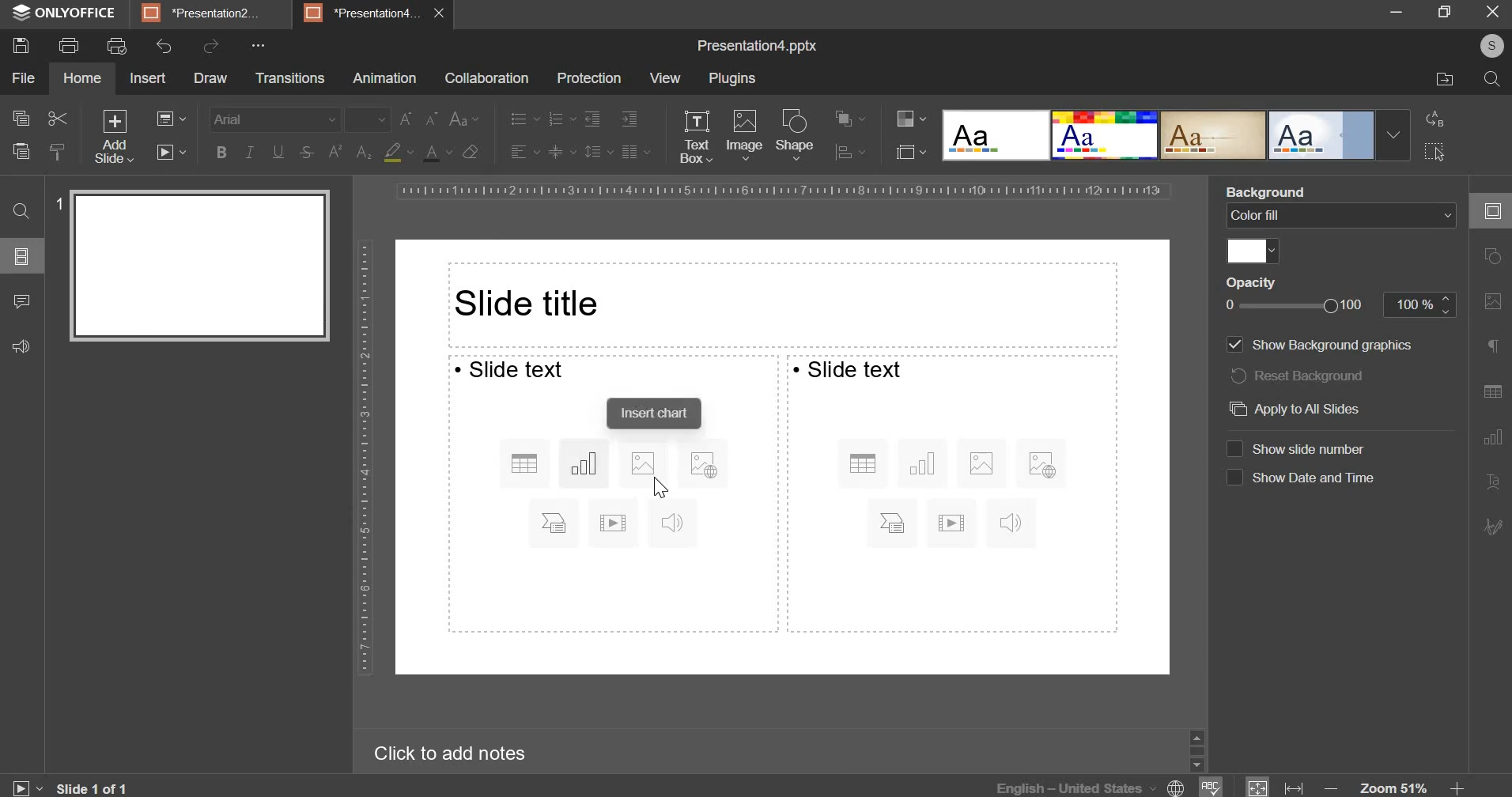 This screenshot has width=1512, height=797. Describe the element at coordinates (177, 122) in the screenshot. I see `change slide layout` at that location.